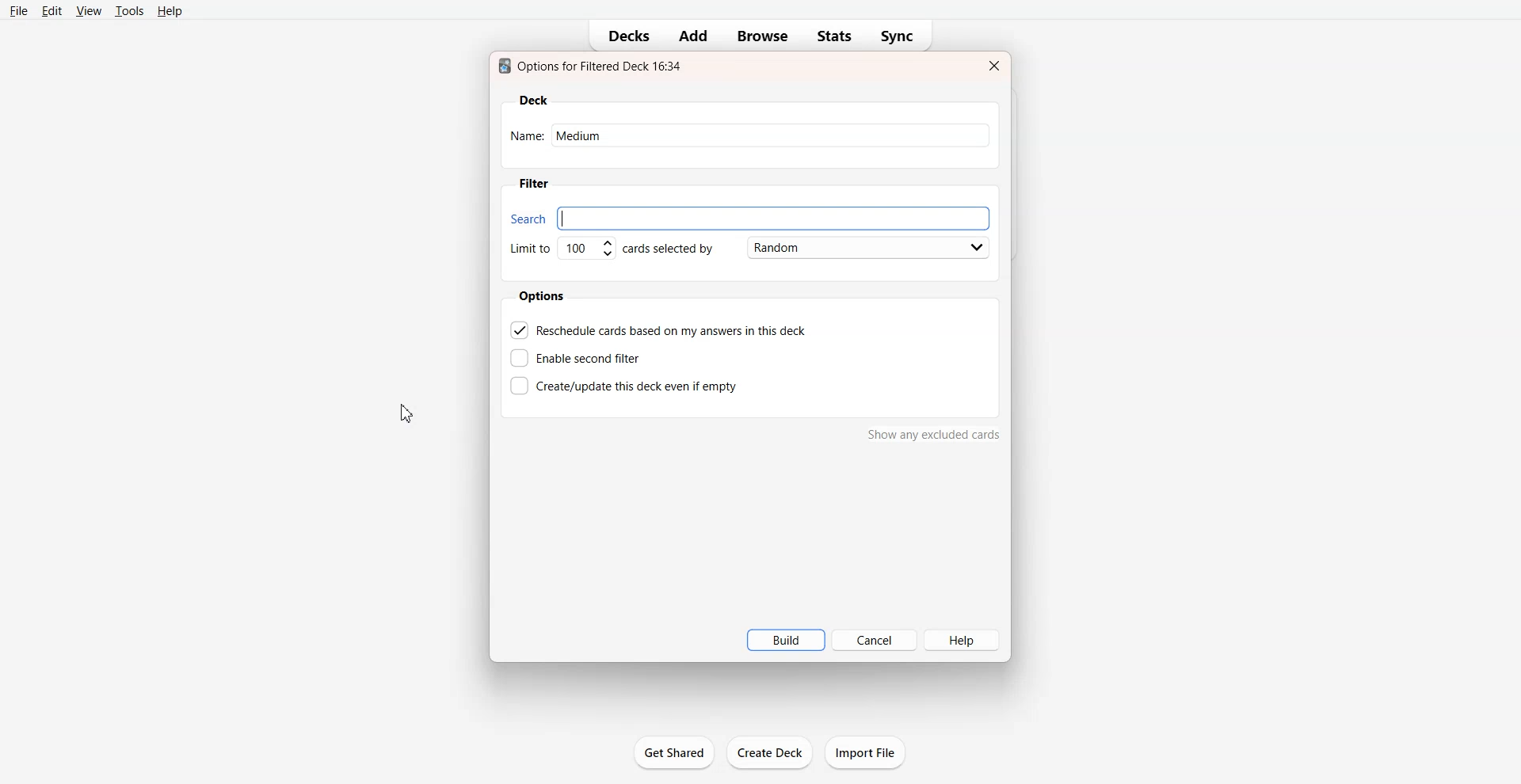  Describe the element at coordinates (874, 640) in the screenshot. I see `Cancel` at that location.